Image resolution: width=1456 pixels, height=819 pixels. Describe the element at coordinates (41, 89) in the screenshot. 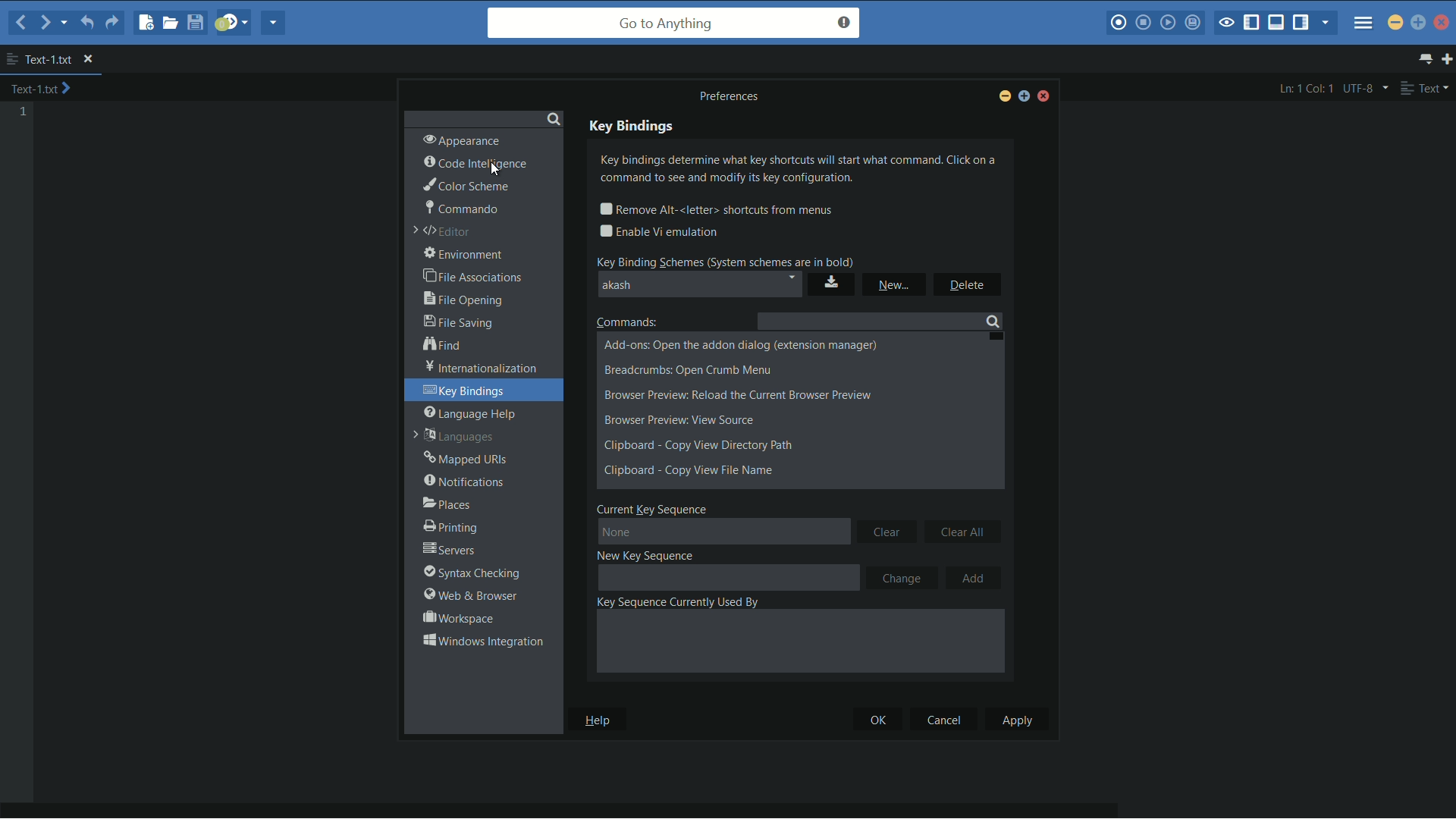

I see `text-1.txt` at that location.